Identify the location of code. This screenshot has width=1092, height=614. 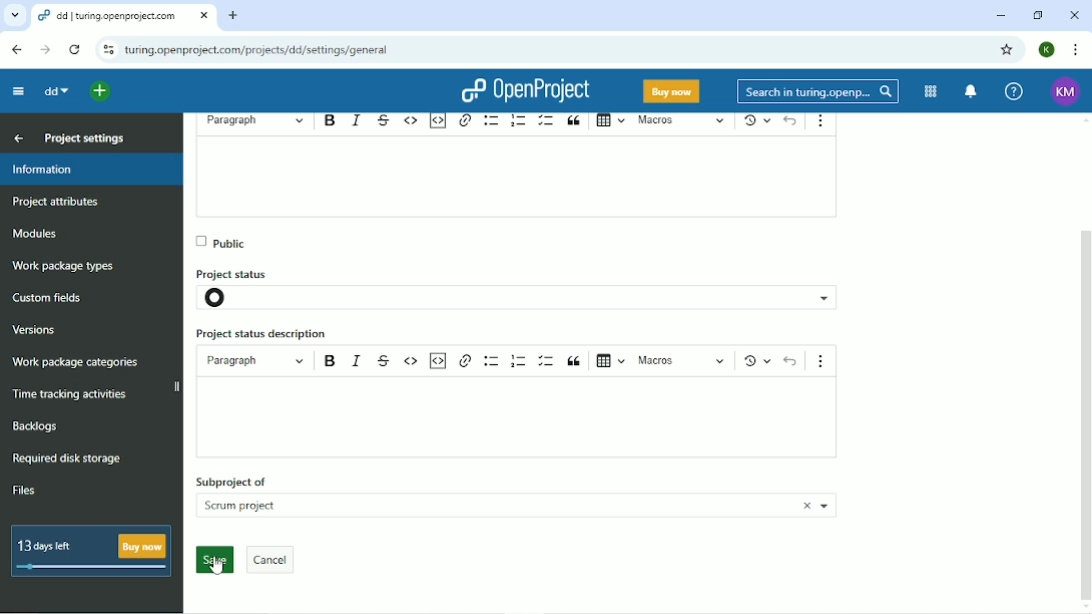
(412, 360).